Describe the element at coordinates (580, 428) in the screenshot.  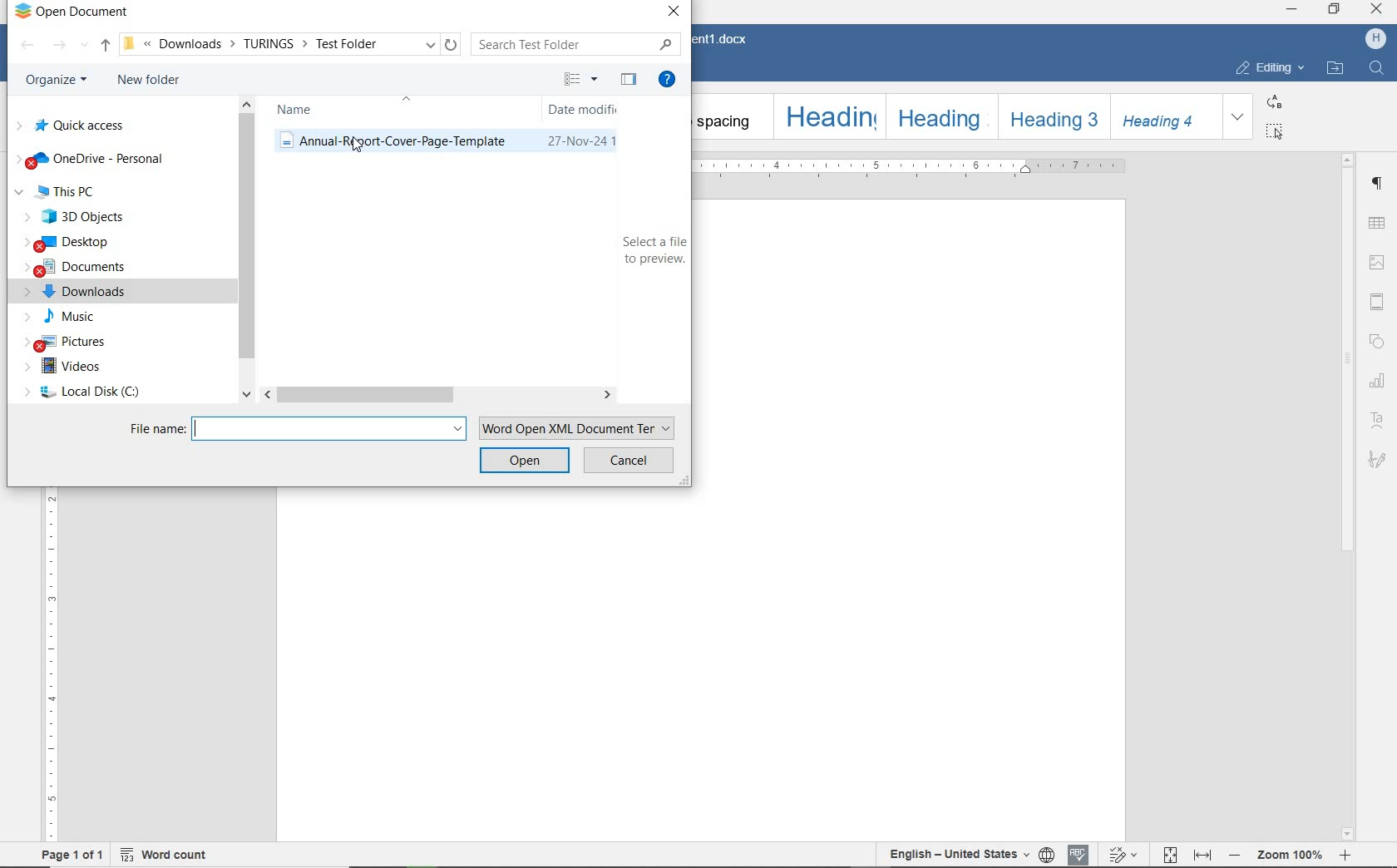
I see `WORD OPEN XML DOCUMENT` at that location.